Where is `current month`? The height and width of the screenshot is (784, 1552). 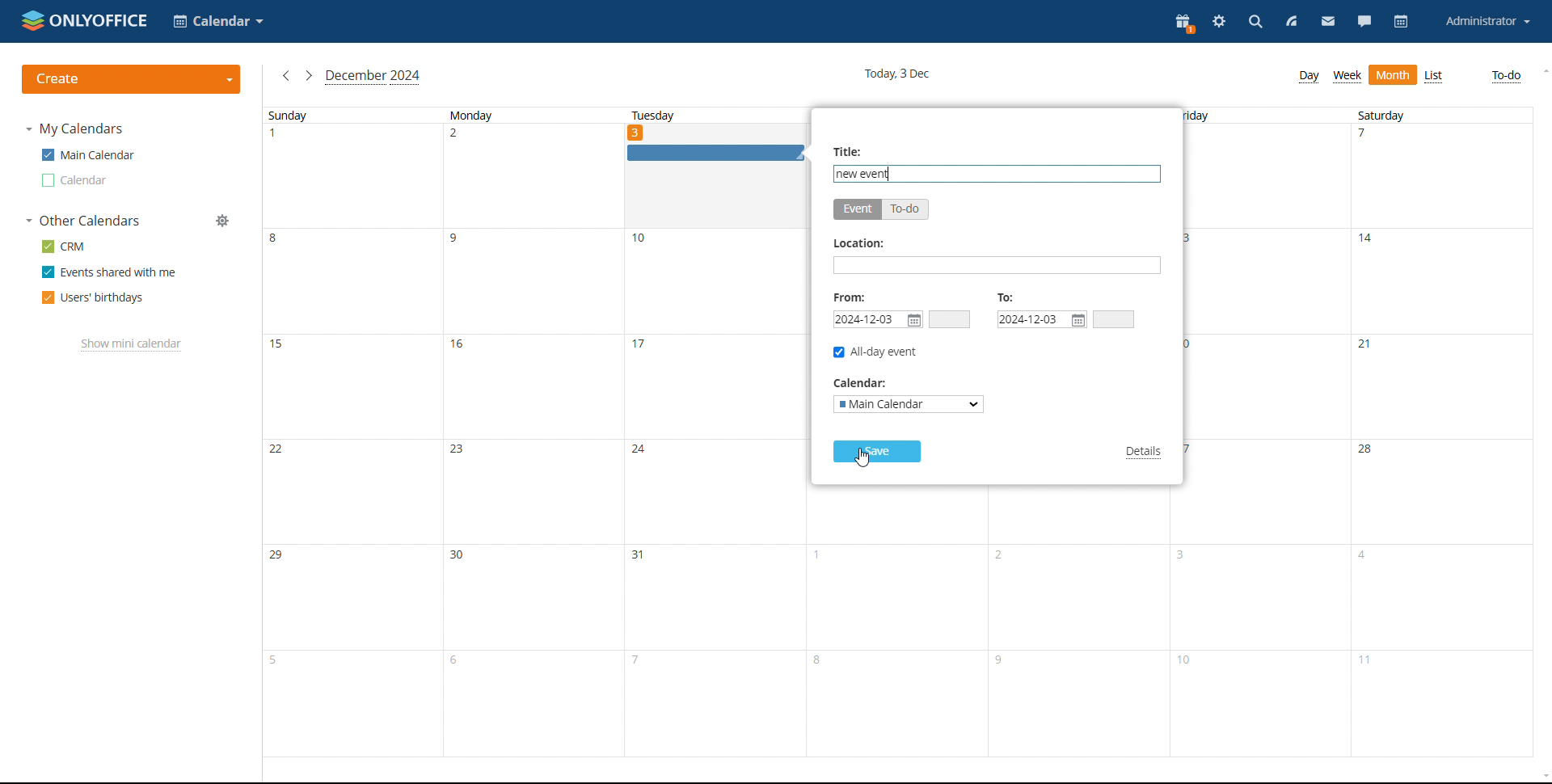
current month is located at coordinates (373, 77).